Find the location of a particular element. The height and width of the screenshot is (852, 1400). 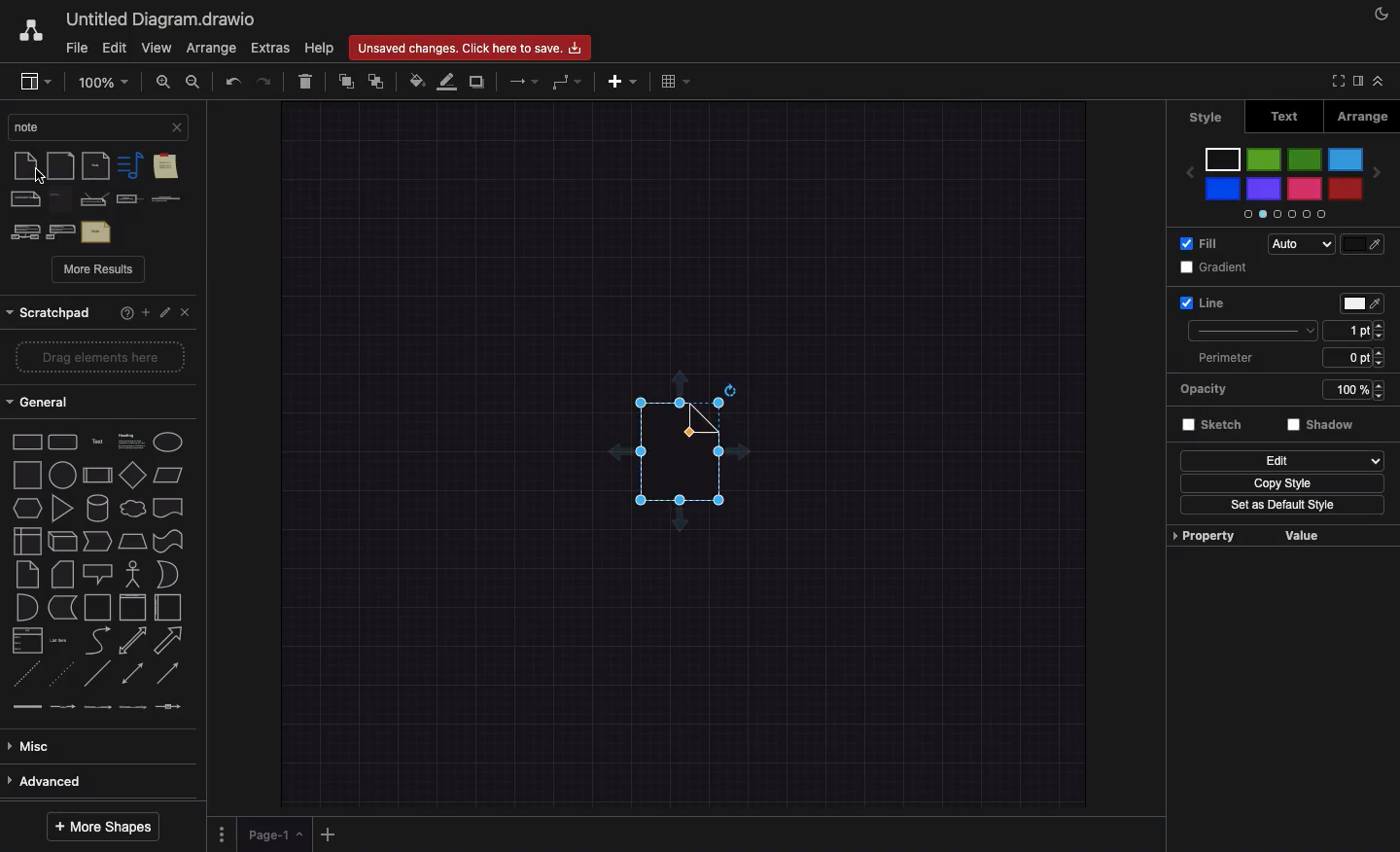

Options is located at coordinates (222, 835).